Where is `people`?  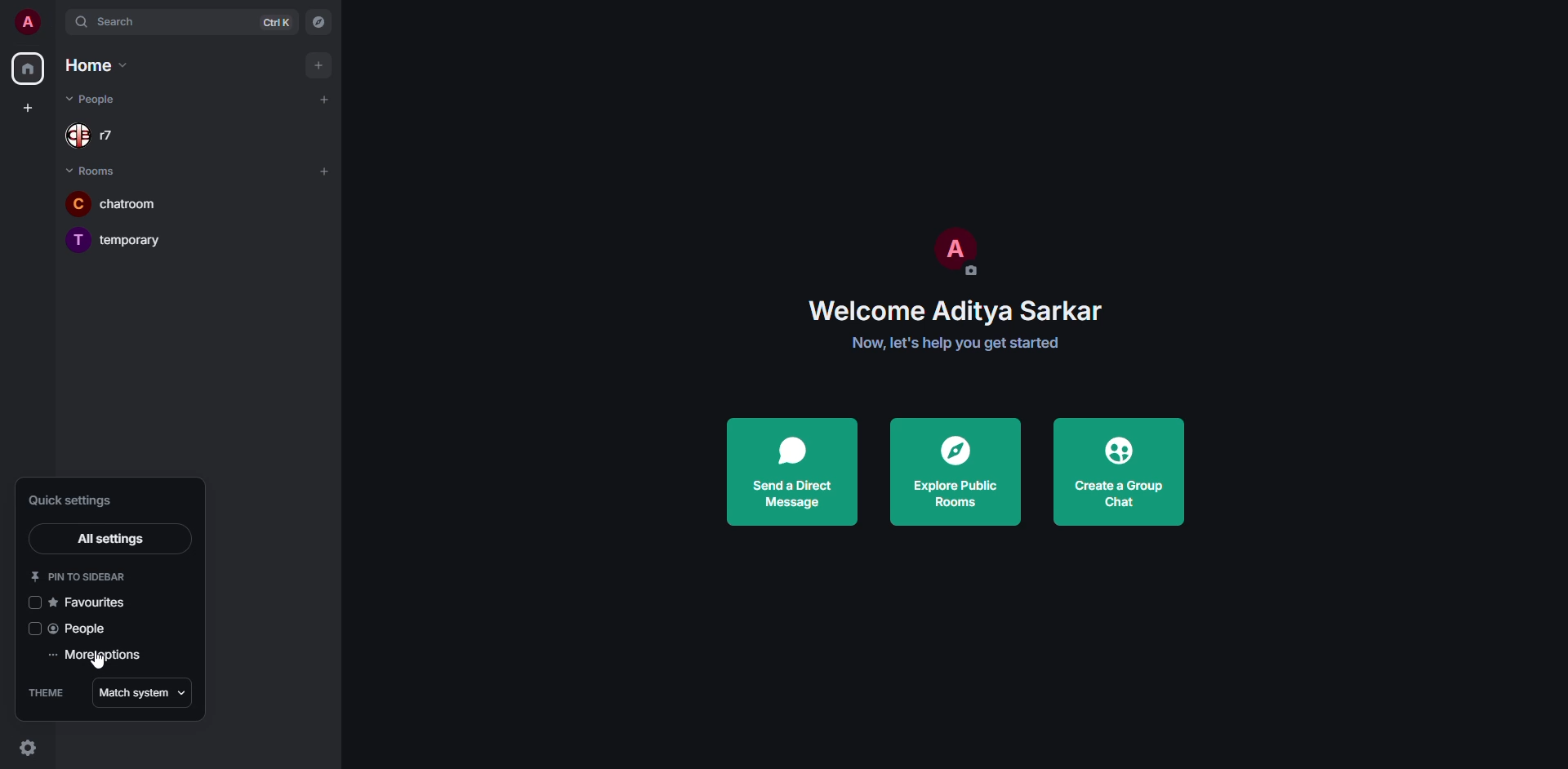 people is located at coordinates (82, 629).